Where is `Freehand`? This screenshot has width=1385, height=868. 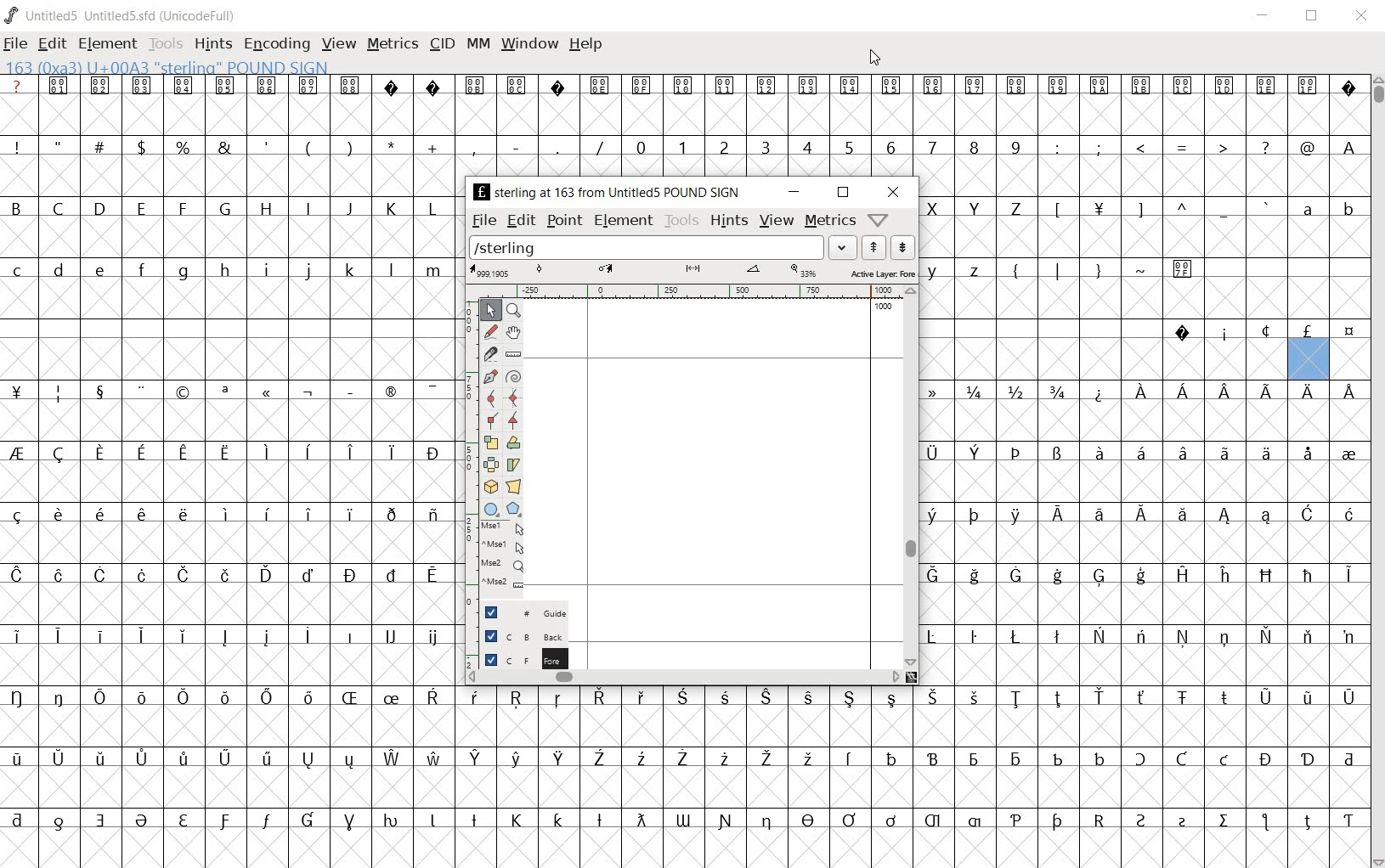
Freehand is located at coordinates (493, 334).